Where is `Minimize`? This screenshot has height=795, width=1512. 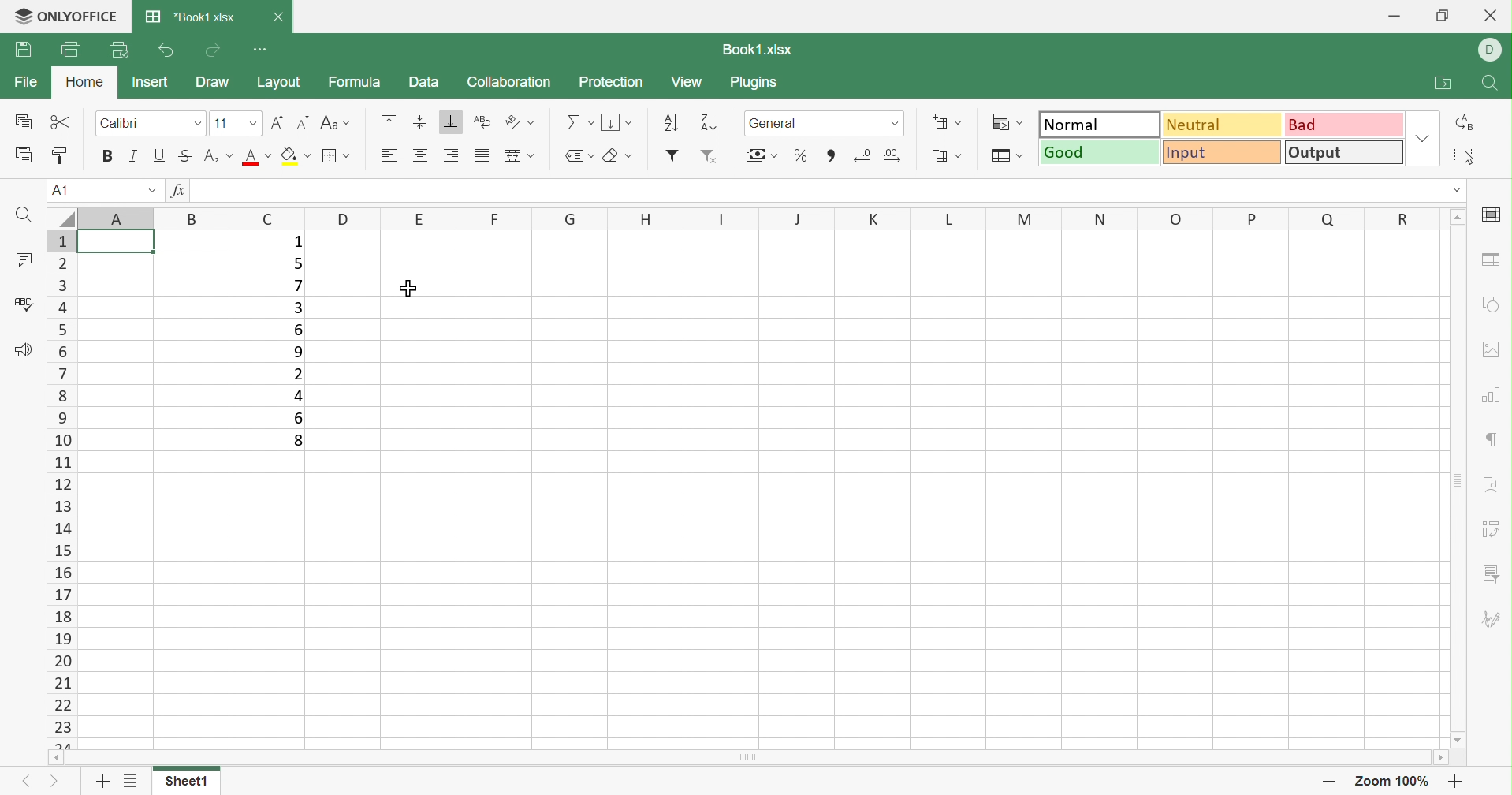 Minimize is located at coordinates (1395, 17).